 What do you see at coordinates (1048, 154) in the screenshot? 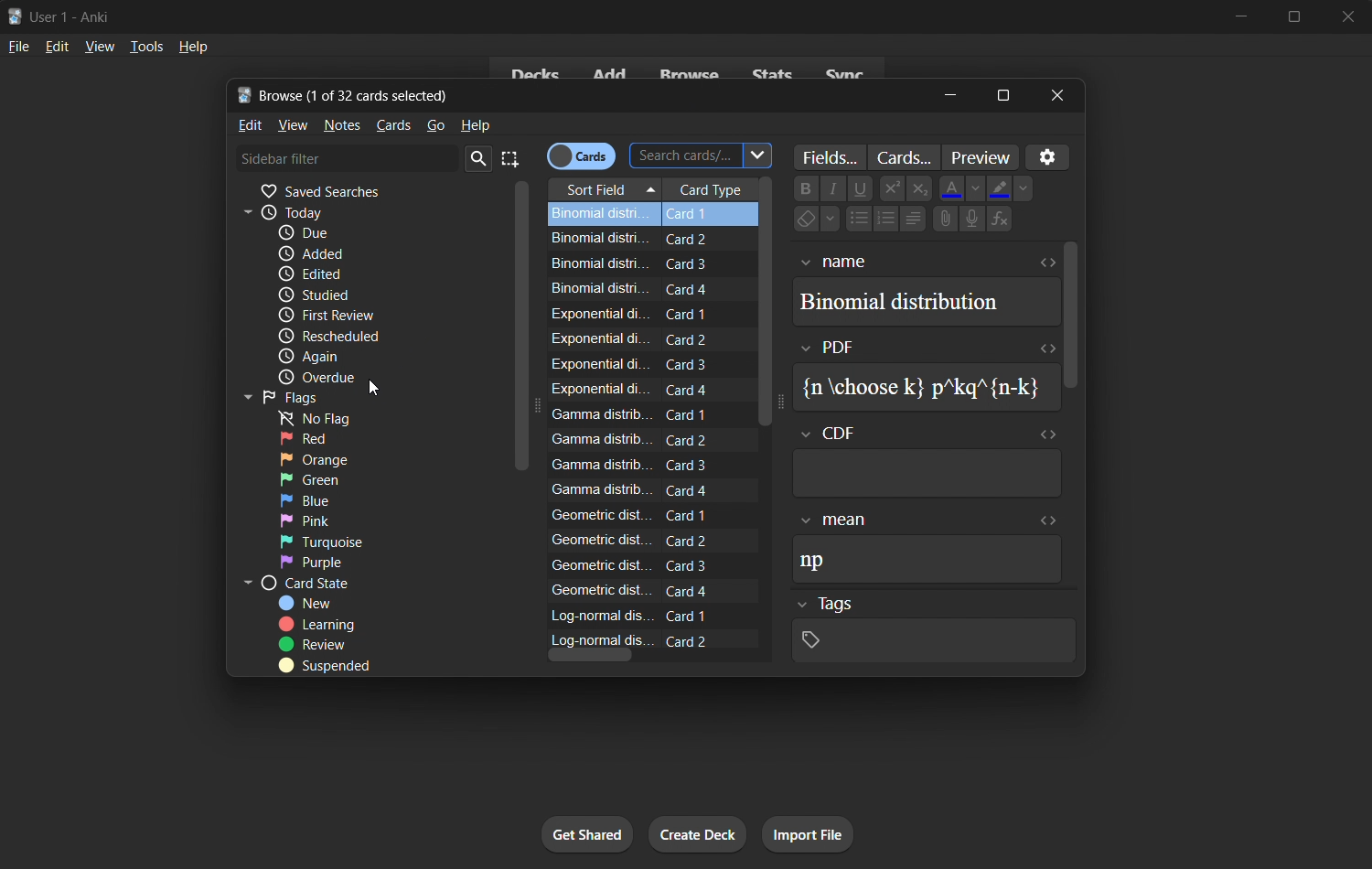
I see `customize` at bounding box center [1048, 154].